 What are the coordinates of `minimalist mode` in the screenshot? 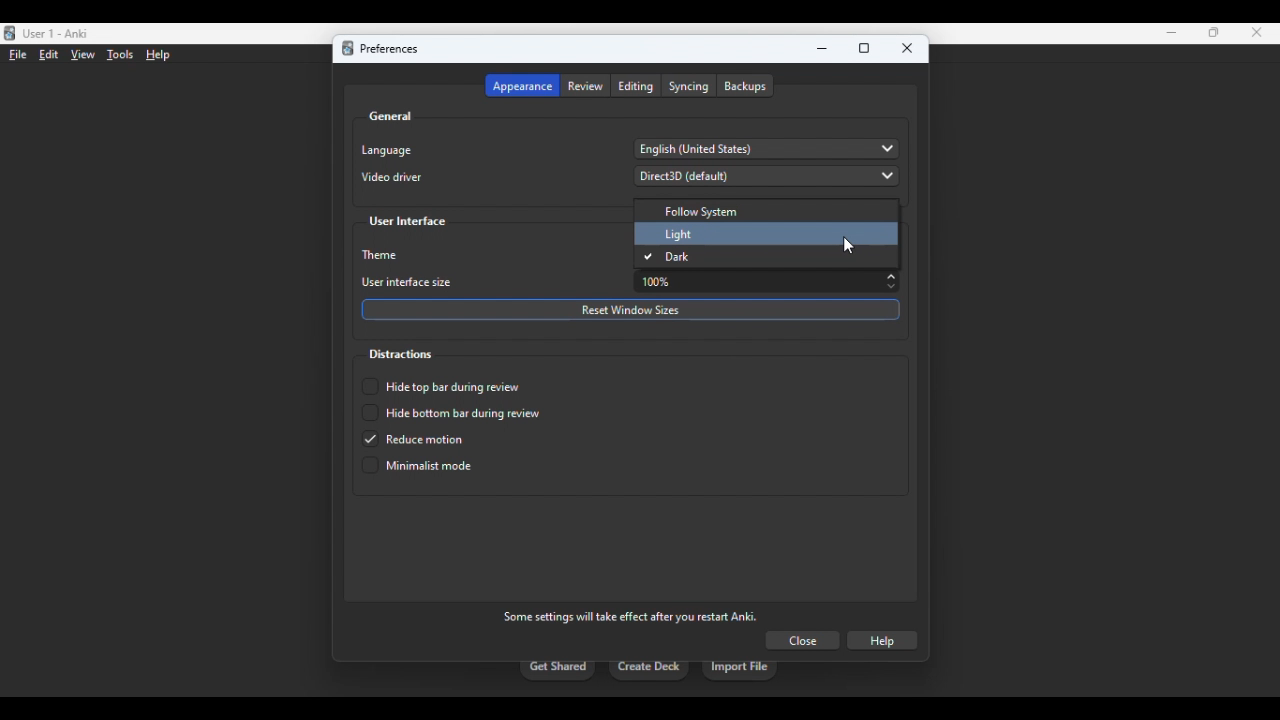 It's located at (417, 465).